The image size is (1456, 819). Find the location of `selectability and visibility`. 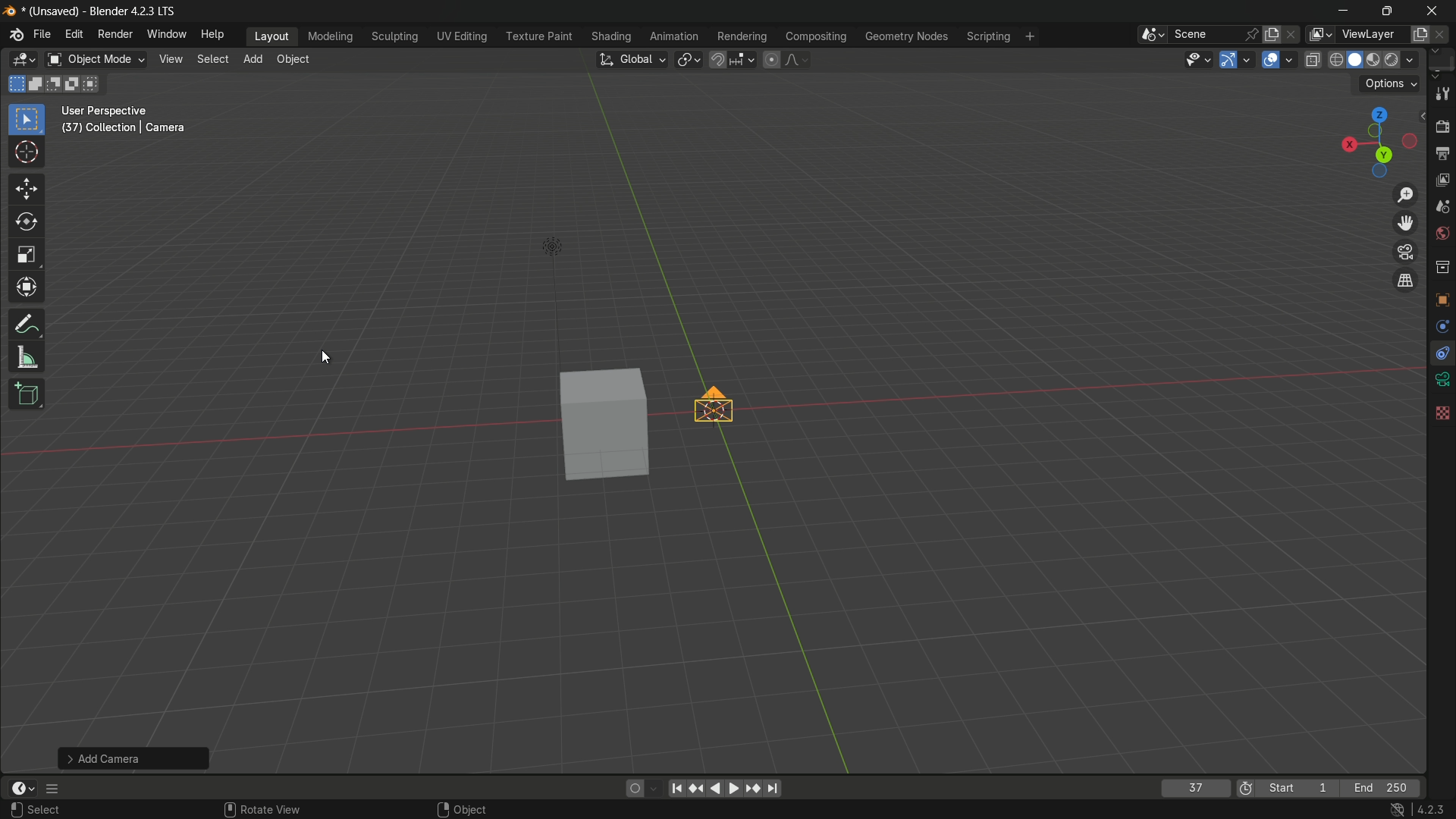

selectability and visibility is located at coordinates (1196, 60).